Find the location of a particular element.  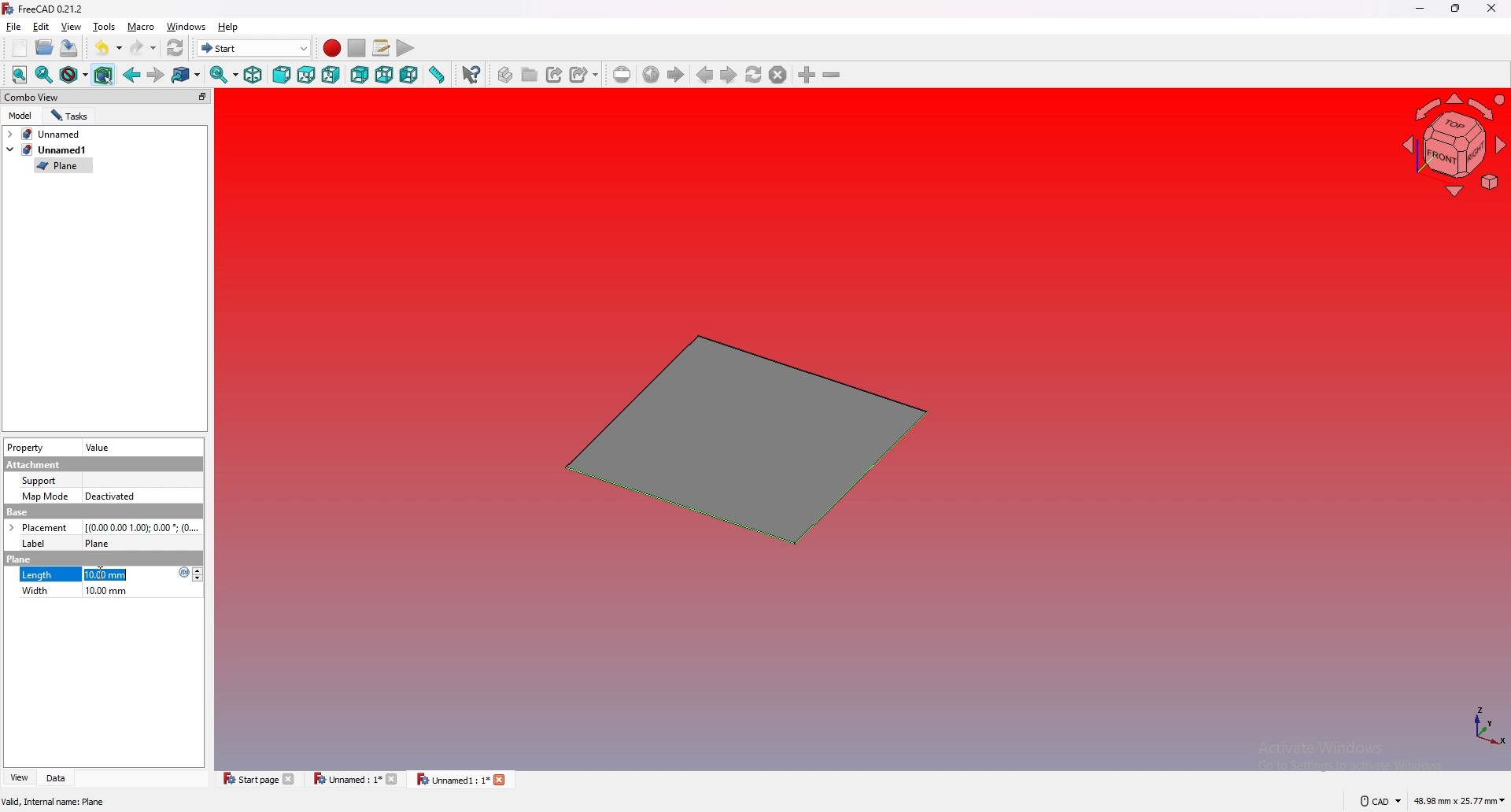

Map mode is located at coordinates (45, 497).